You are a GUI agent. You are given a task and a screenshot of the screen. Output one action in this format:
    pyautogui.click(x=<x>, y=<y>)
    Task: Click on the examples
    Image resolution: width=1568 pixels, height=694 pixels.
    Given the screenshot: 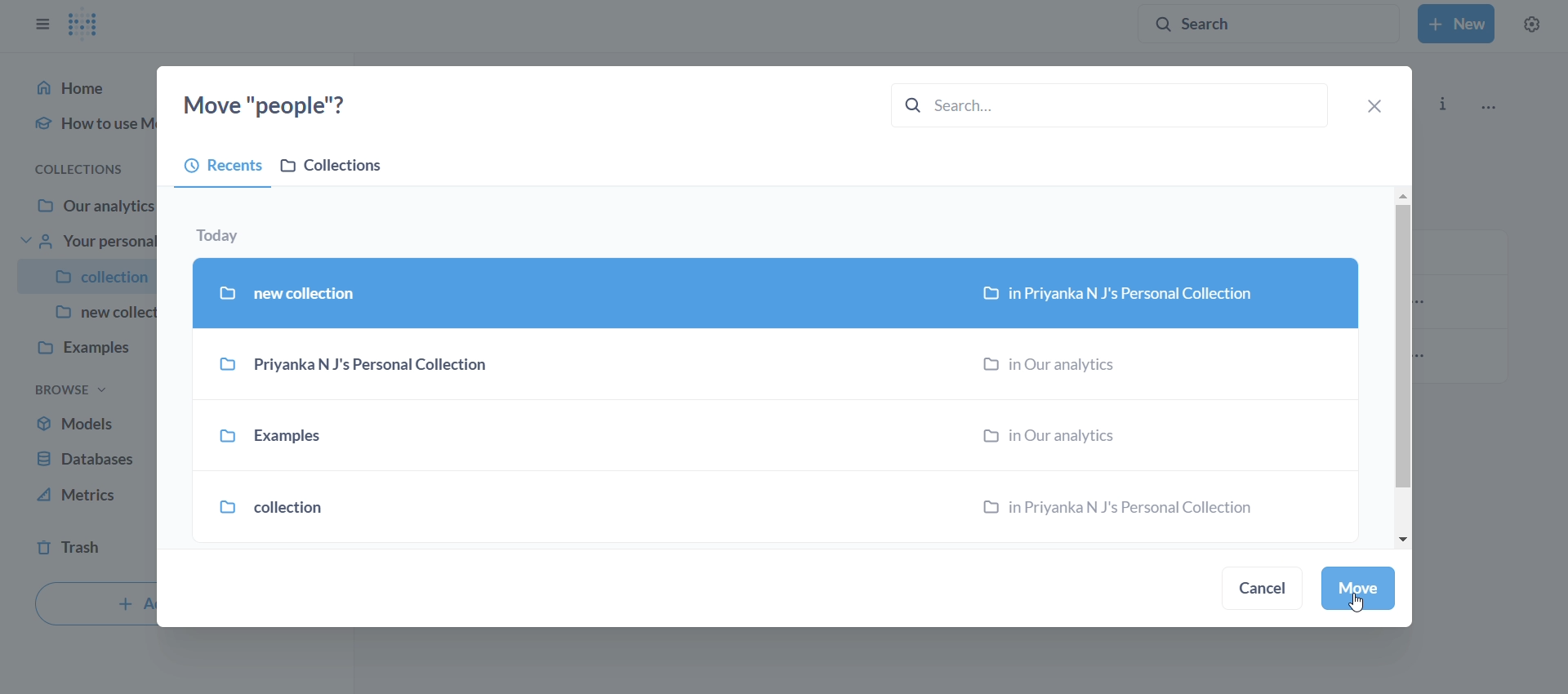 What is the action you would take?
    pyautogui.click(x=777, y=435)
    